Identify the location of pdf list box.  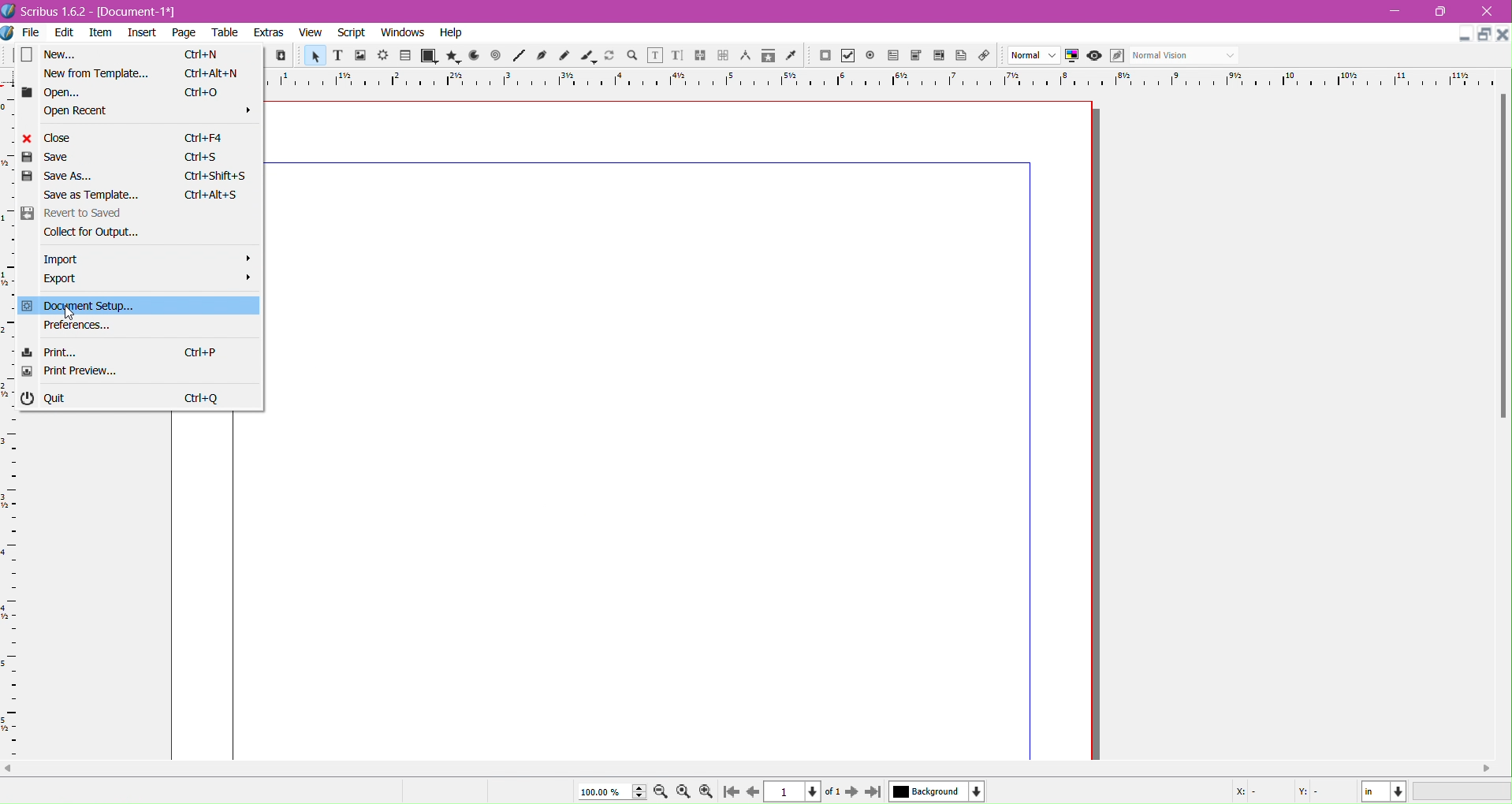
(940, 57).